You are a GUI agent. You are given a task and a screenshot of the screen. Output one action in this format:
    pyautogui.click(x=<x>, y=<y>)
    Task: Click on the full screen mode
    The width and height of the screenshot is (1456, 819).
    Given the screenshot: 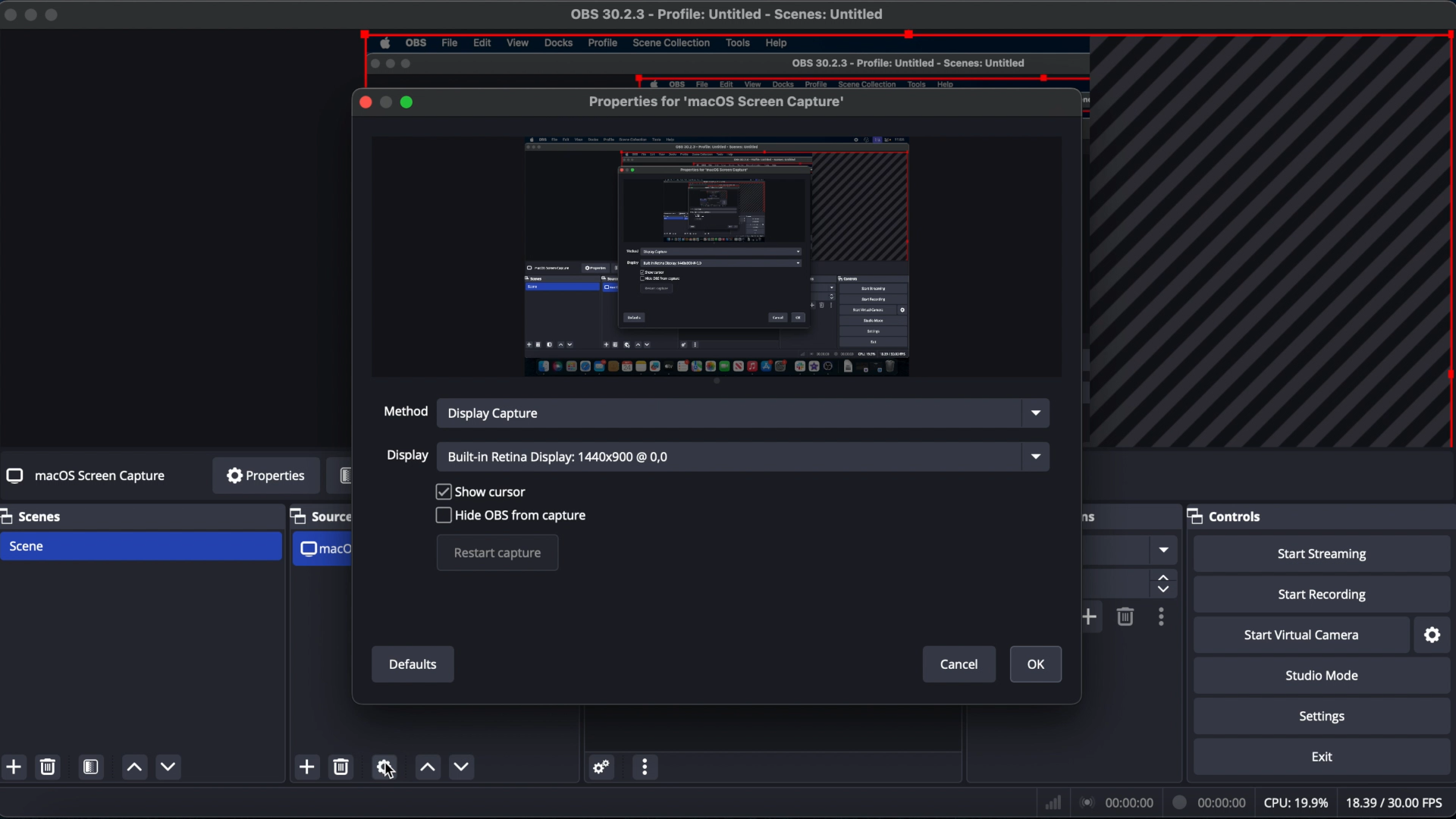 What is the action you would take?
    pyautogui.click(x=53, y=16)
    